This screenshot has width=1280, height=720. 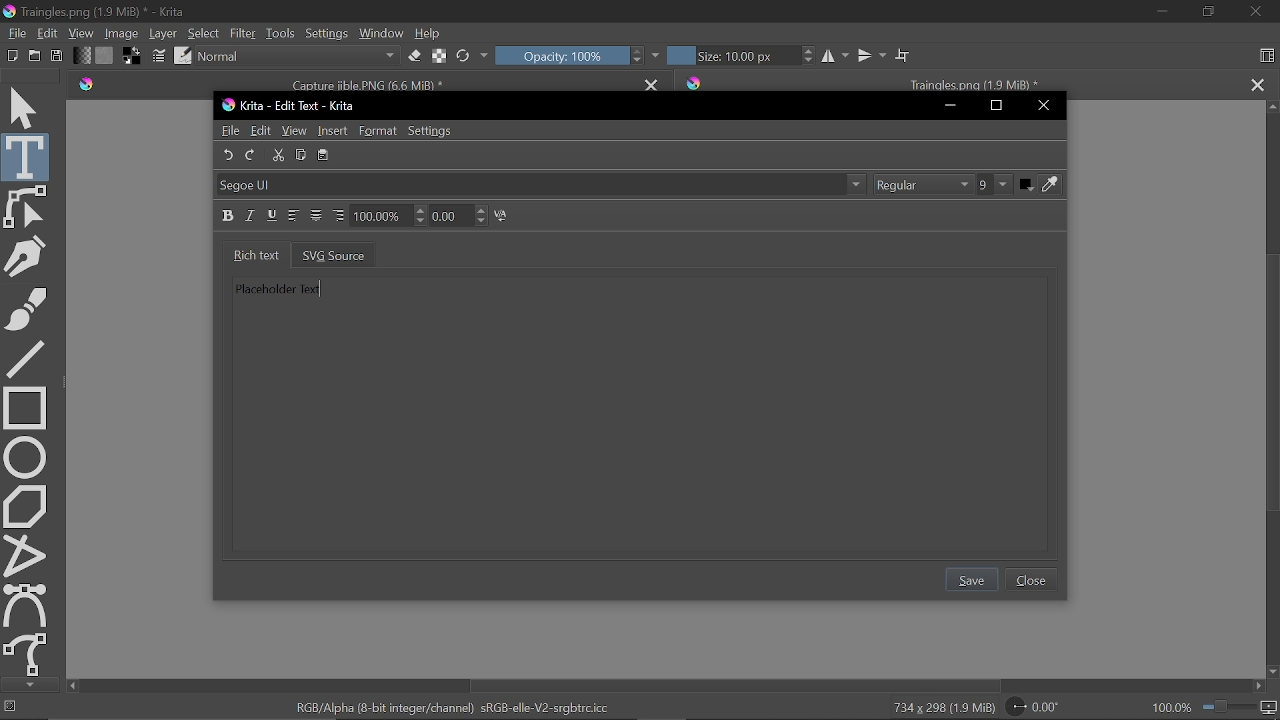 What do you see at coordinates (1210, 12) in the screenshot?
I see `Restore down` at bounding box center [1210, 12].